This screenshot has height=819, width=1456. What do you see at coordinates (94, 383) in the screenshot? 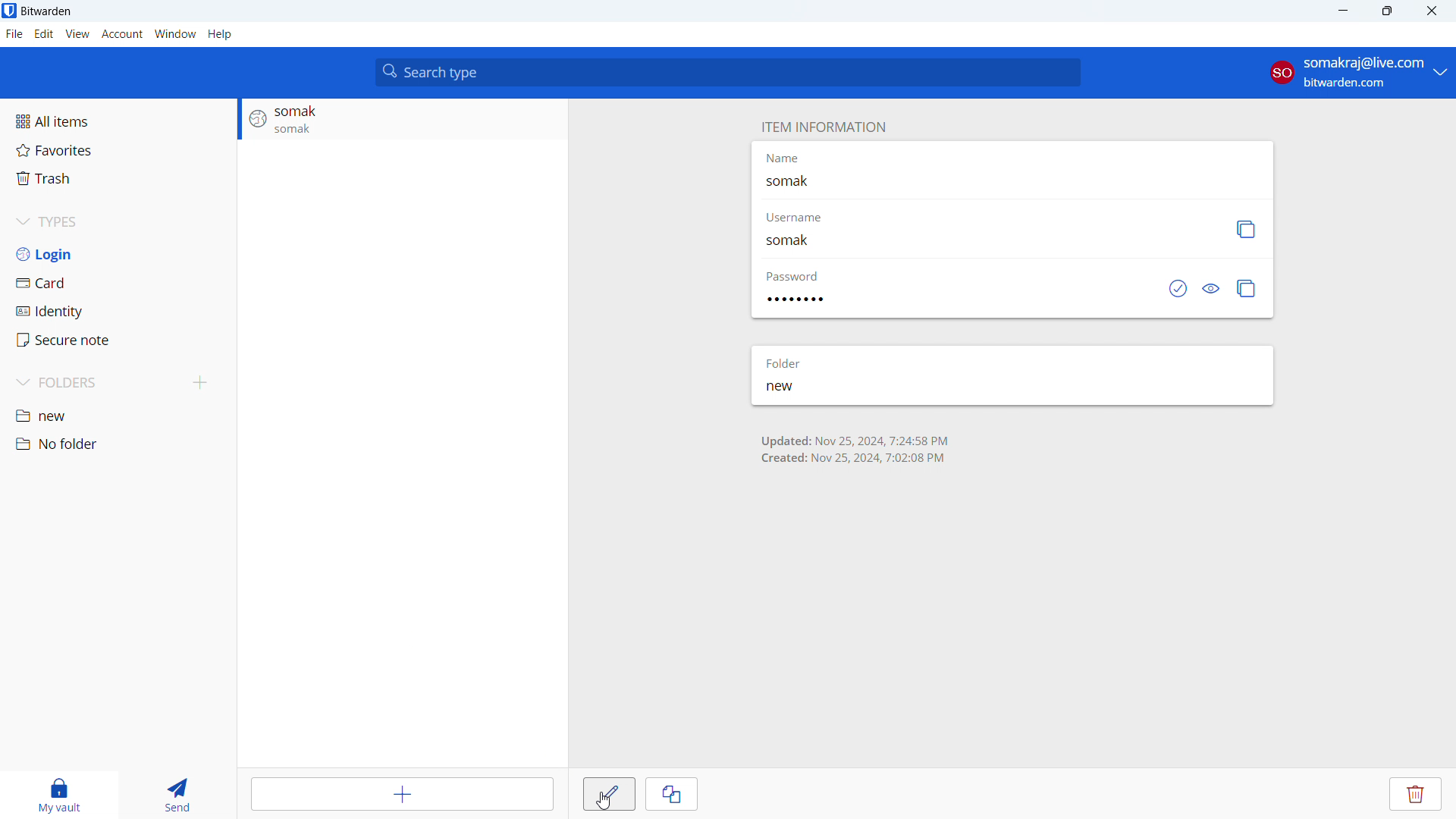
I see `folders` at bounding box center [94, 383].